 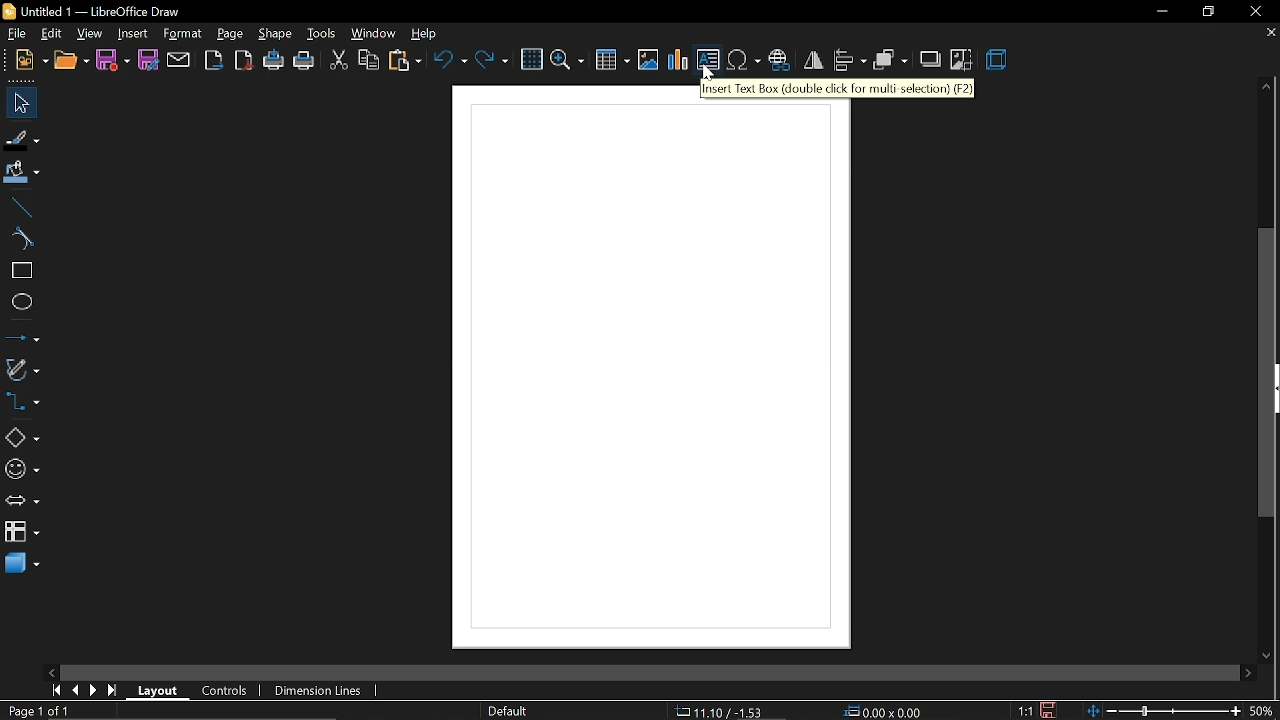 I want to click on position, so click(x=885, y=712).